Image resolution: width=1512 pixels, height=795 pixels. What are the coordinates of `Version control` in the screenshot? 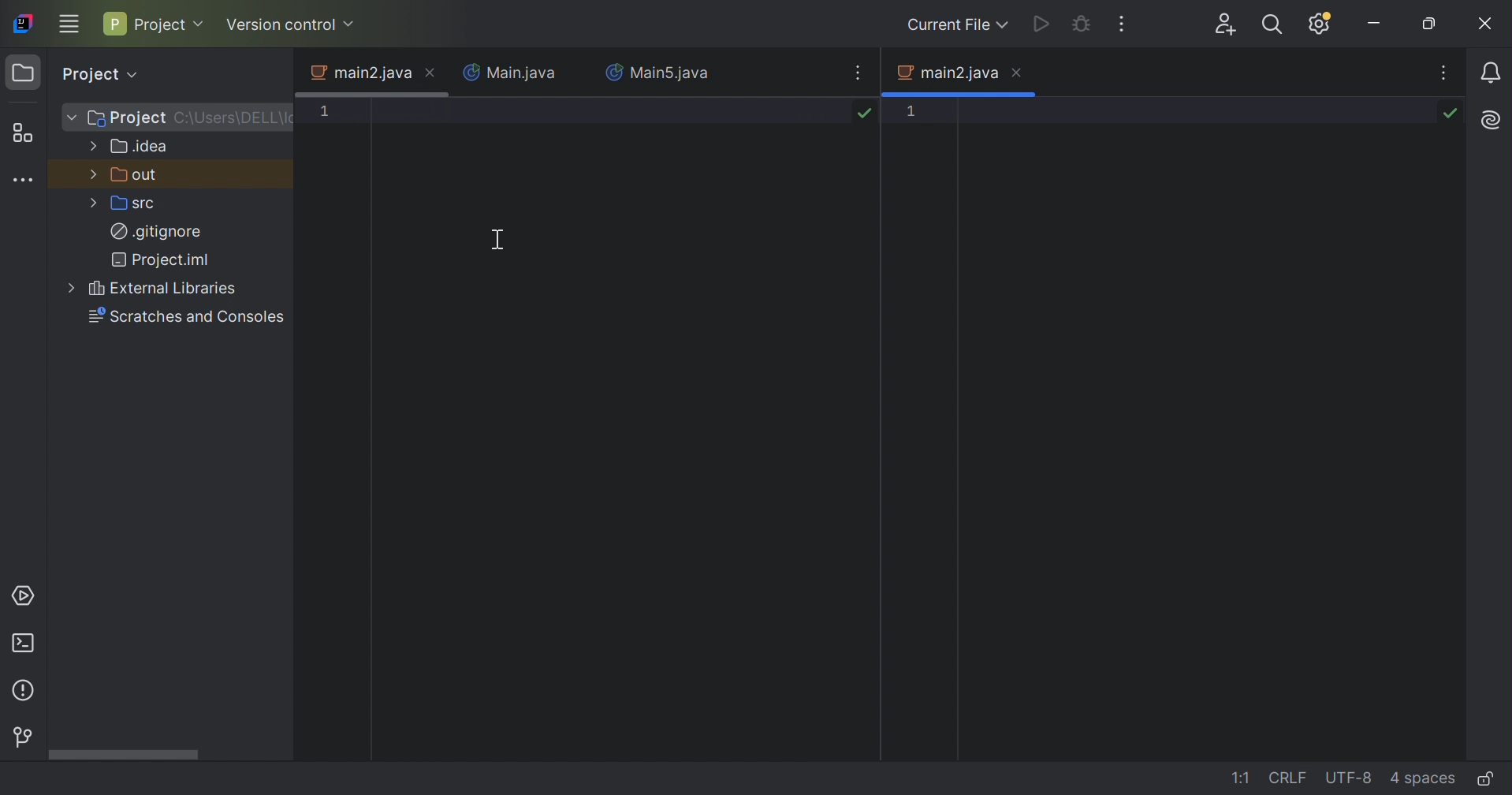 It's located at (294, 26).